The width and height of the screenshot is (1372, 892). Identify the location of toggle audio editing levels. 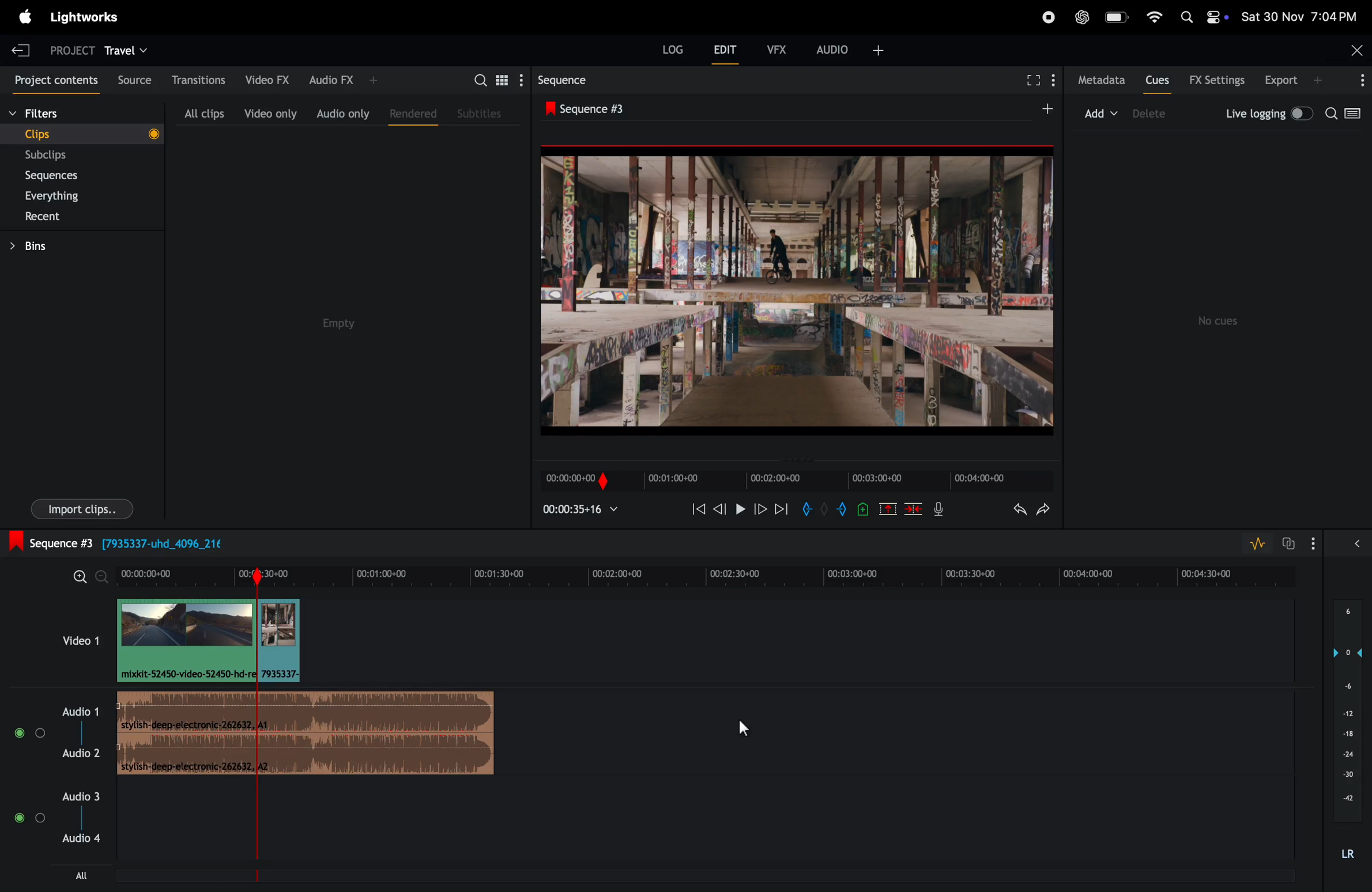
(1254, 544).